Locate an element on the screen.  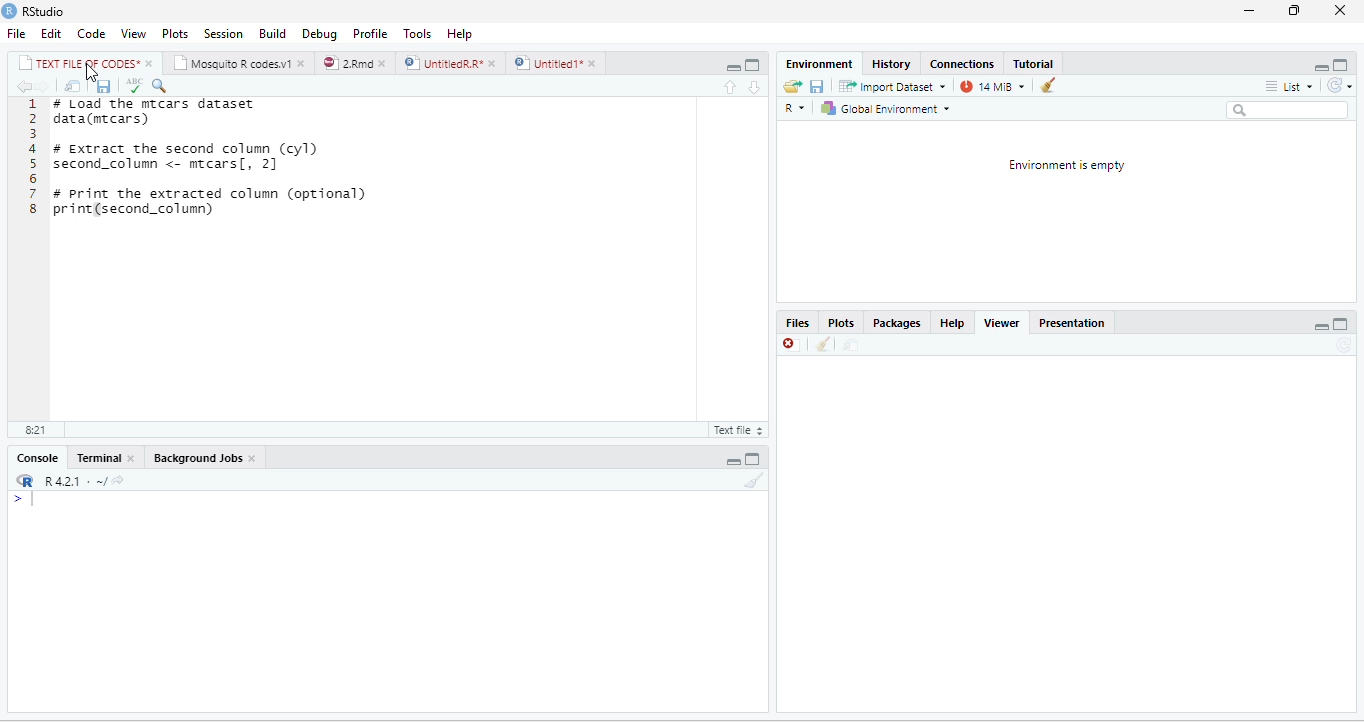
clear is located at coordinates (754, 481).